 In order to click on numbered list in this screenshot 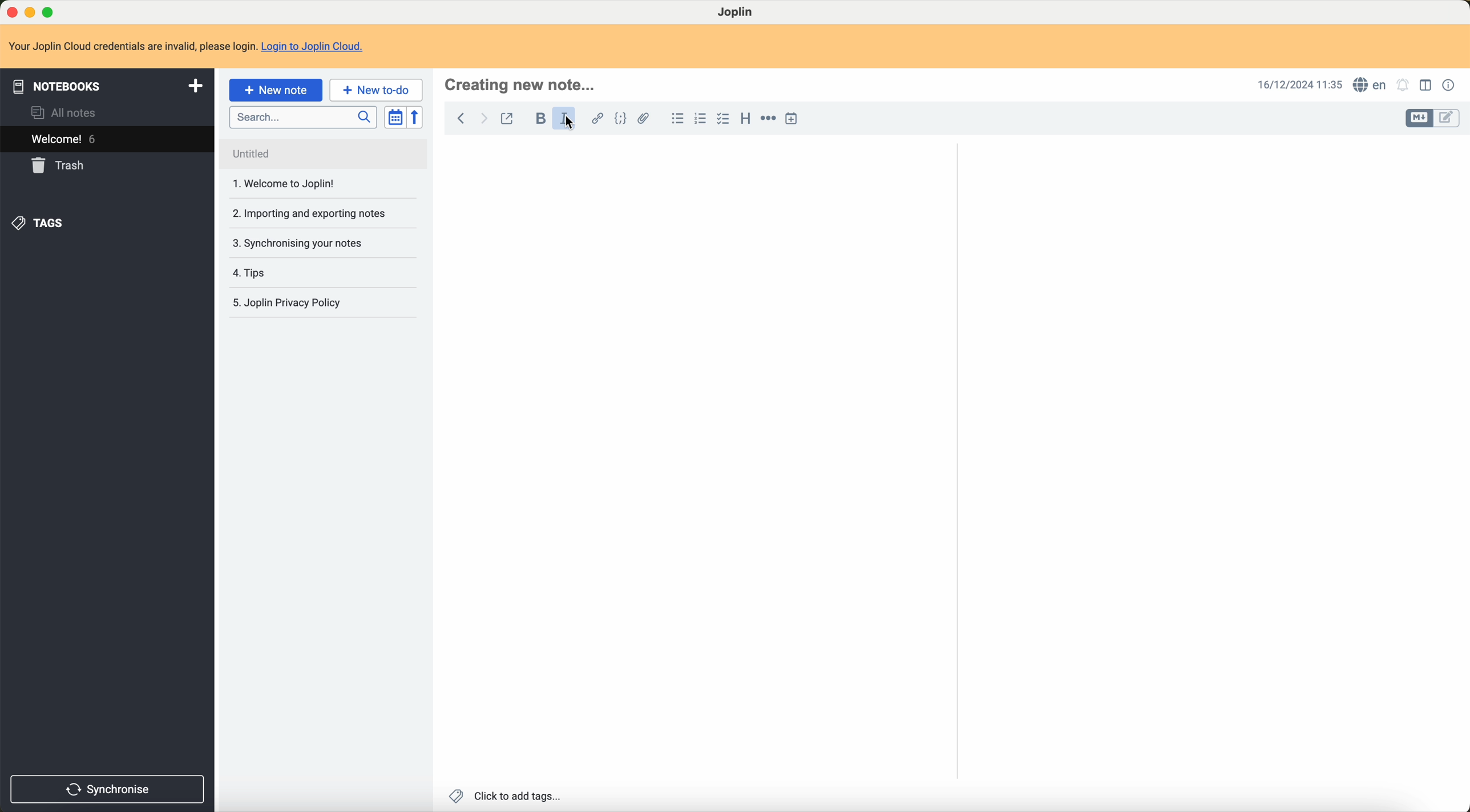, I will do `click(701, 120)`.